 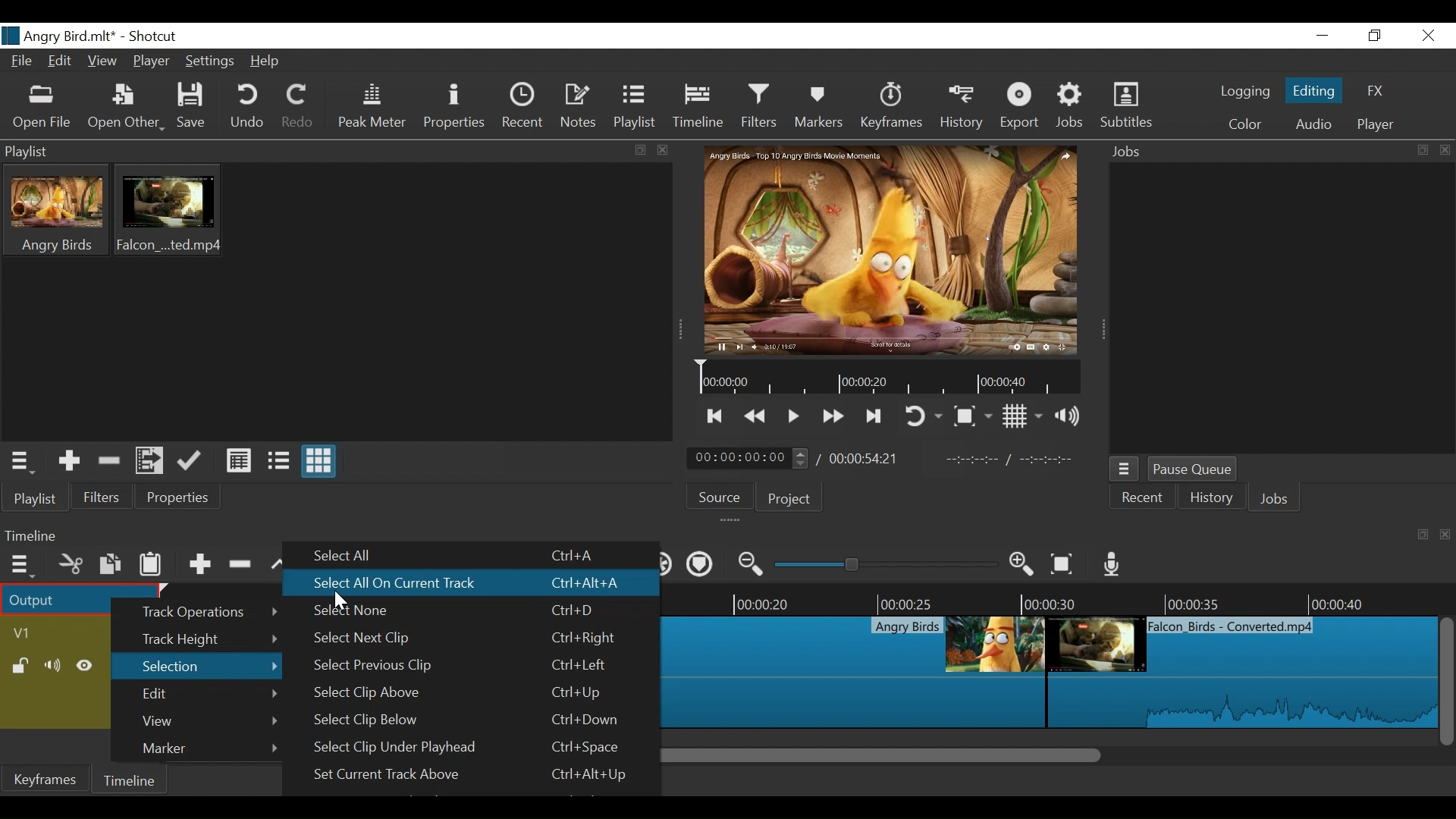 I want to click on Markers, so click(x=818, y=107).